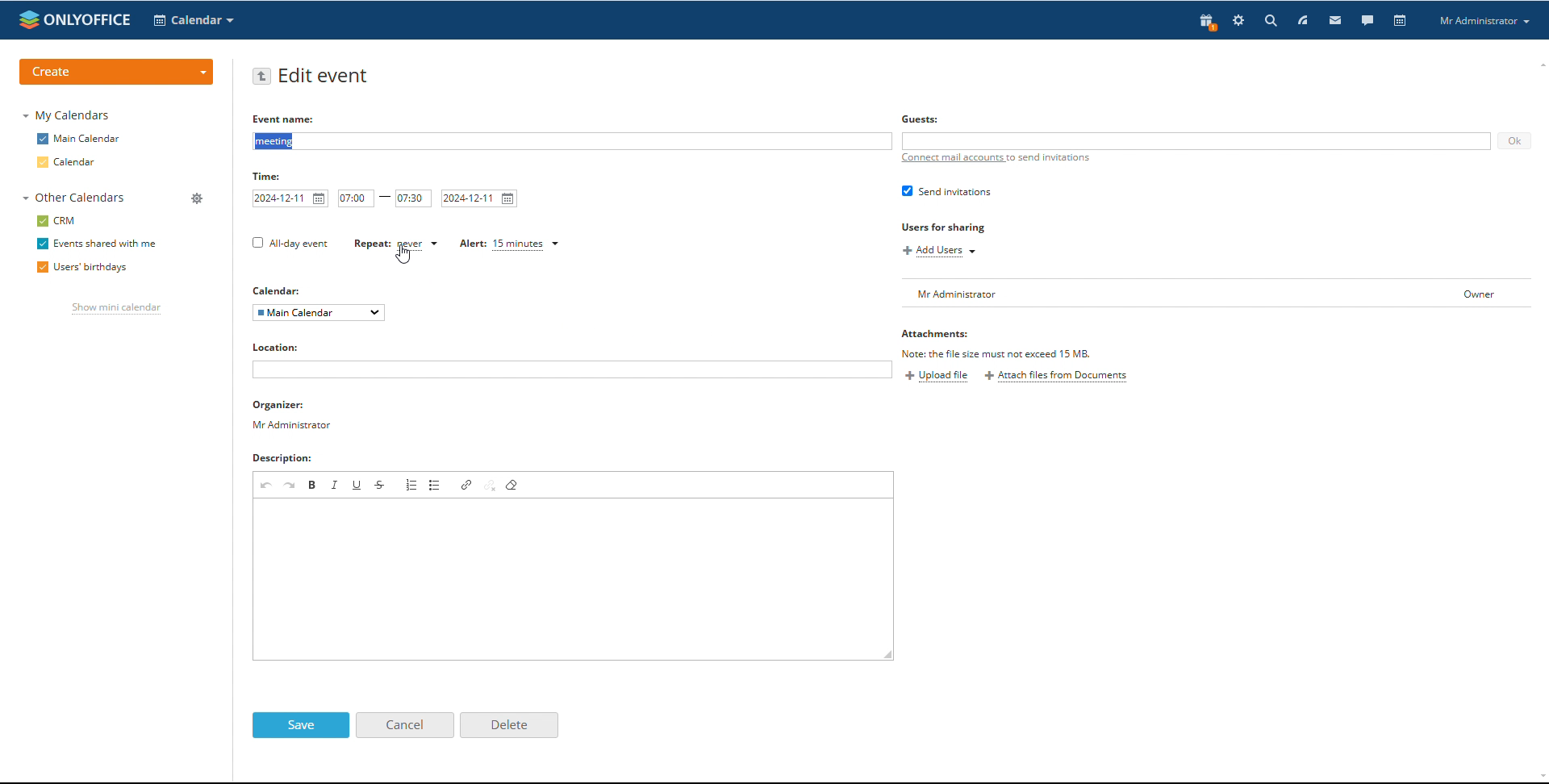  I want to click on events shared with me, so click(97, 244).